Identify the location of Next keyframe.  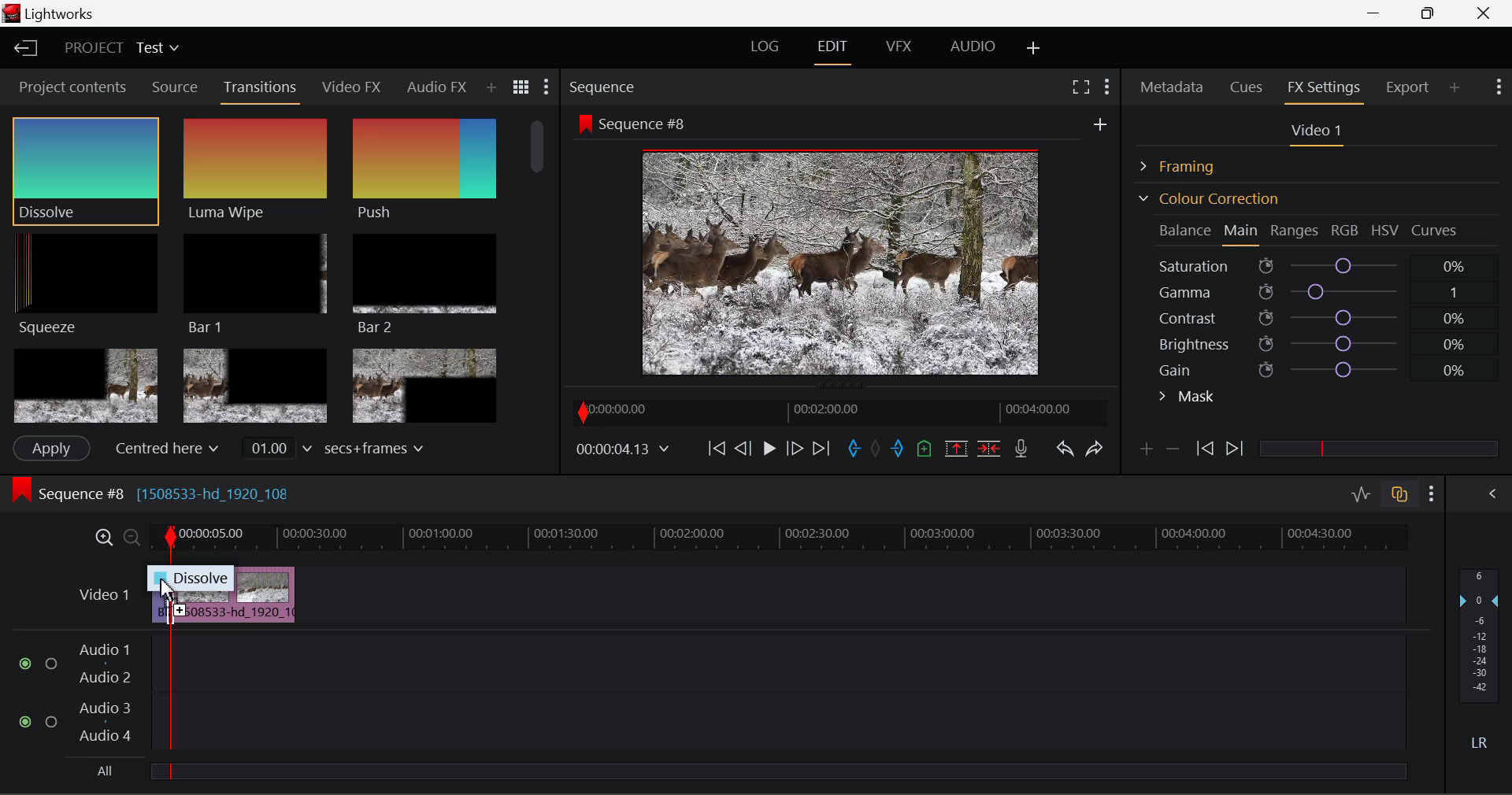
(1236, 449).